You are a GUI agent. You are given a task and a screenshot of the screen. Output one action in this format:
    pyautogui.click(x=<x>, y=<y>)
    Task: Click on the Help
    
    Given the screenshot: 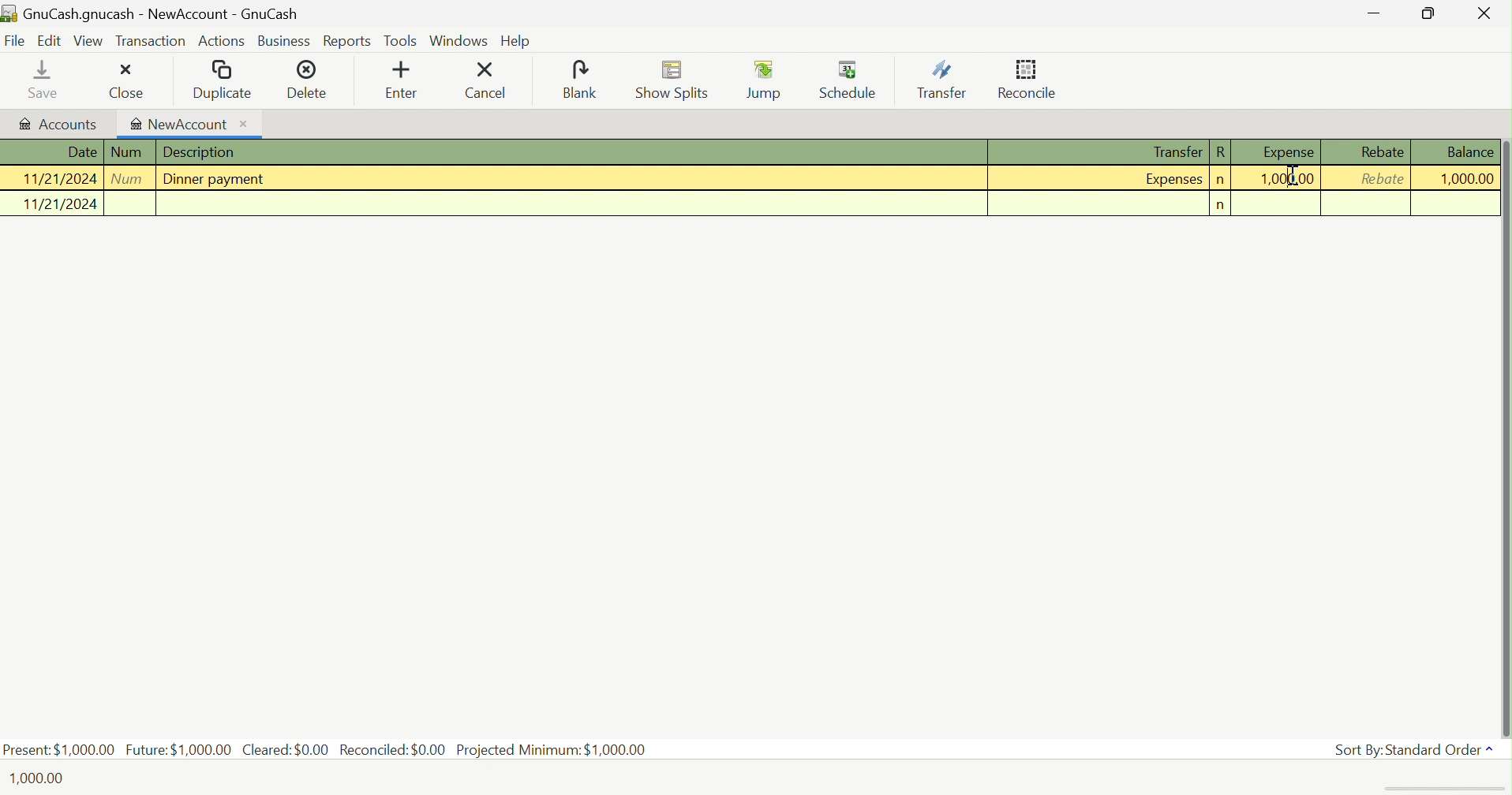 What is the action you would take?
    pyautogui.click(x=518, y=43)
    